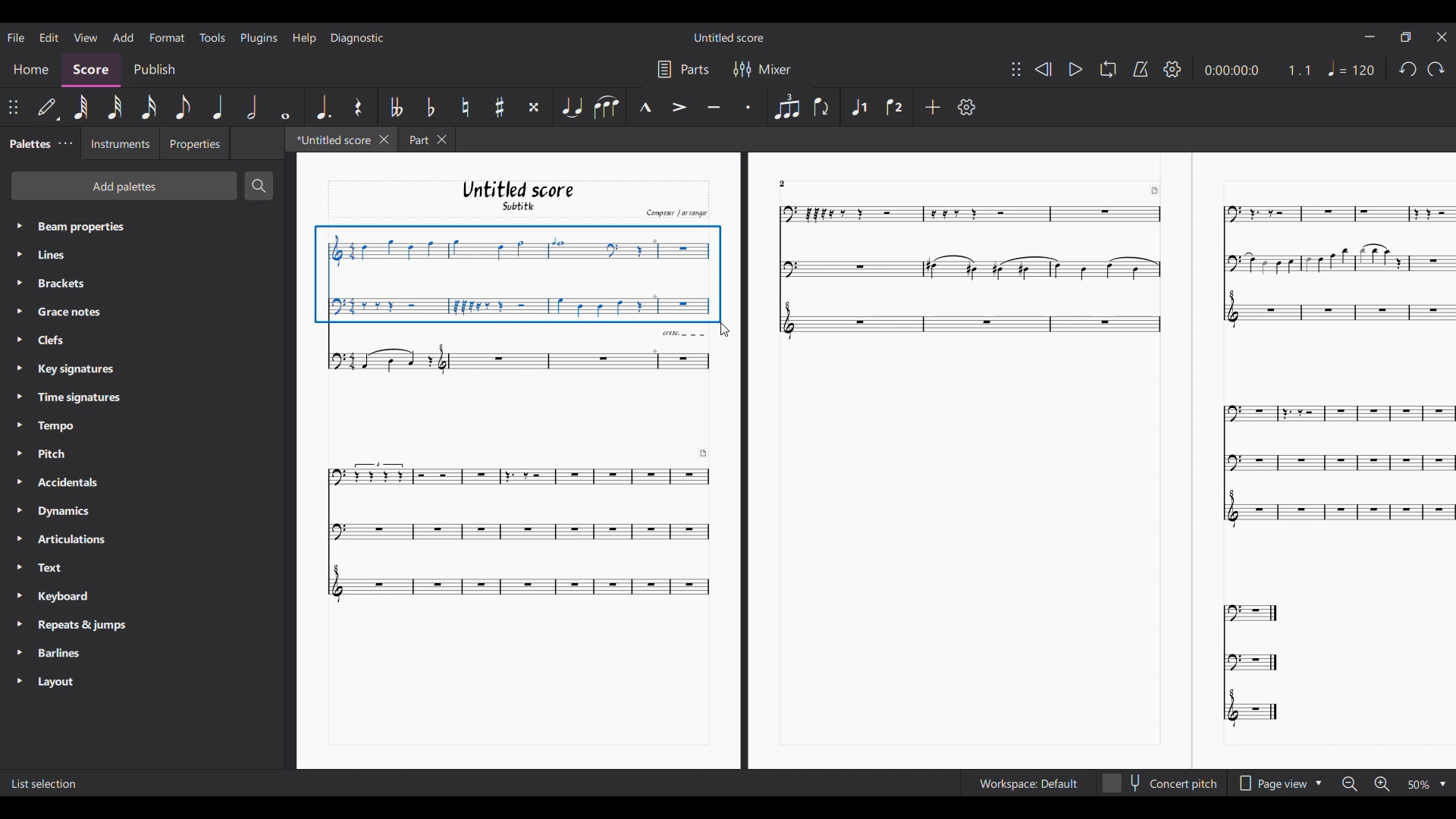 The height and width of the screenshot is (819, 1456). I want to click on Play, so click(1075, 70).